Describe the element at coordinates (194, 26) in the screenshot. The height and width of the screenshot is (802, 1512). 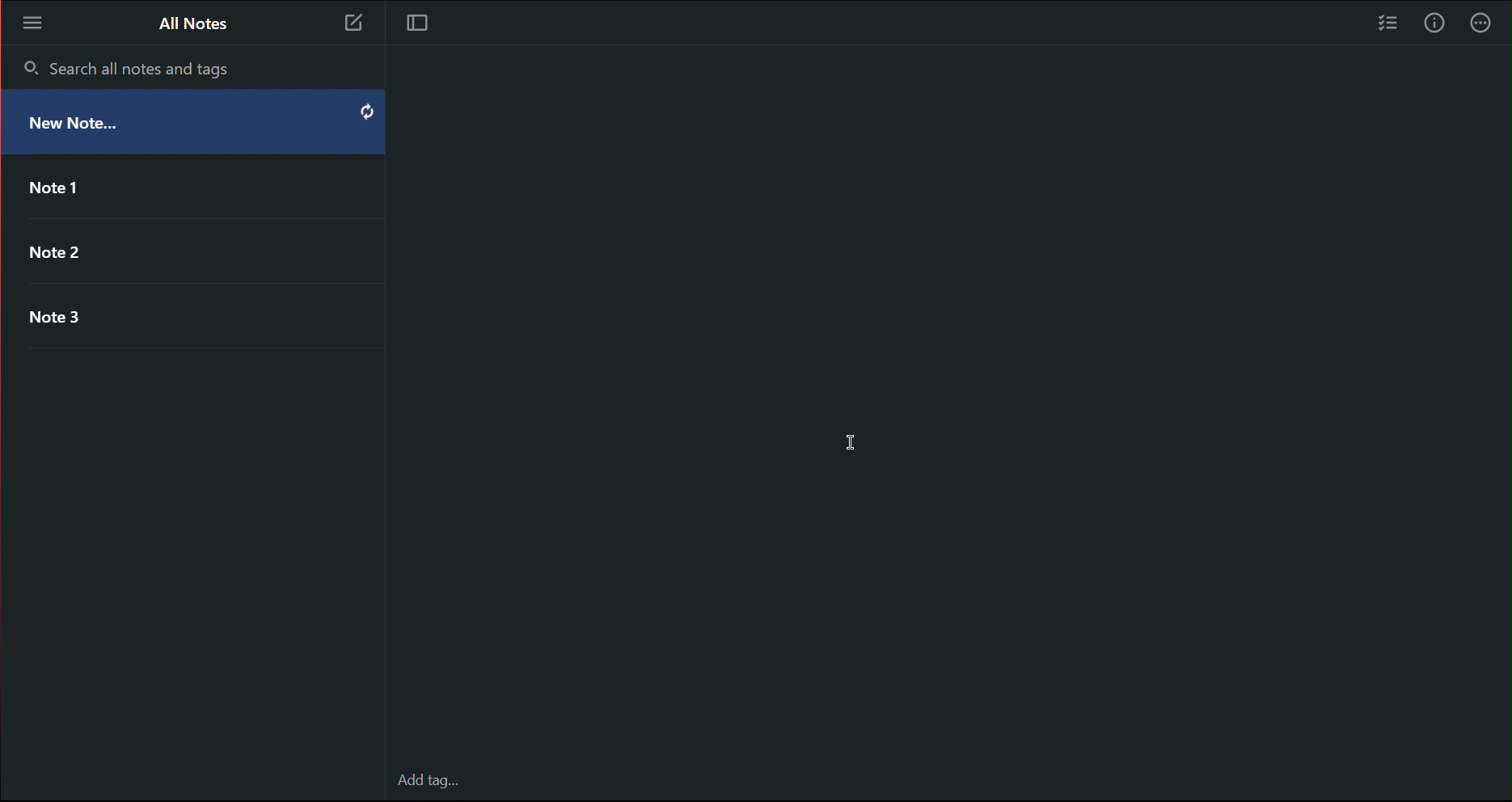
I see `All Notes ` at that location.